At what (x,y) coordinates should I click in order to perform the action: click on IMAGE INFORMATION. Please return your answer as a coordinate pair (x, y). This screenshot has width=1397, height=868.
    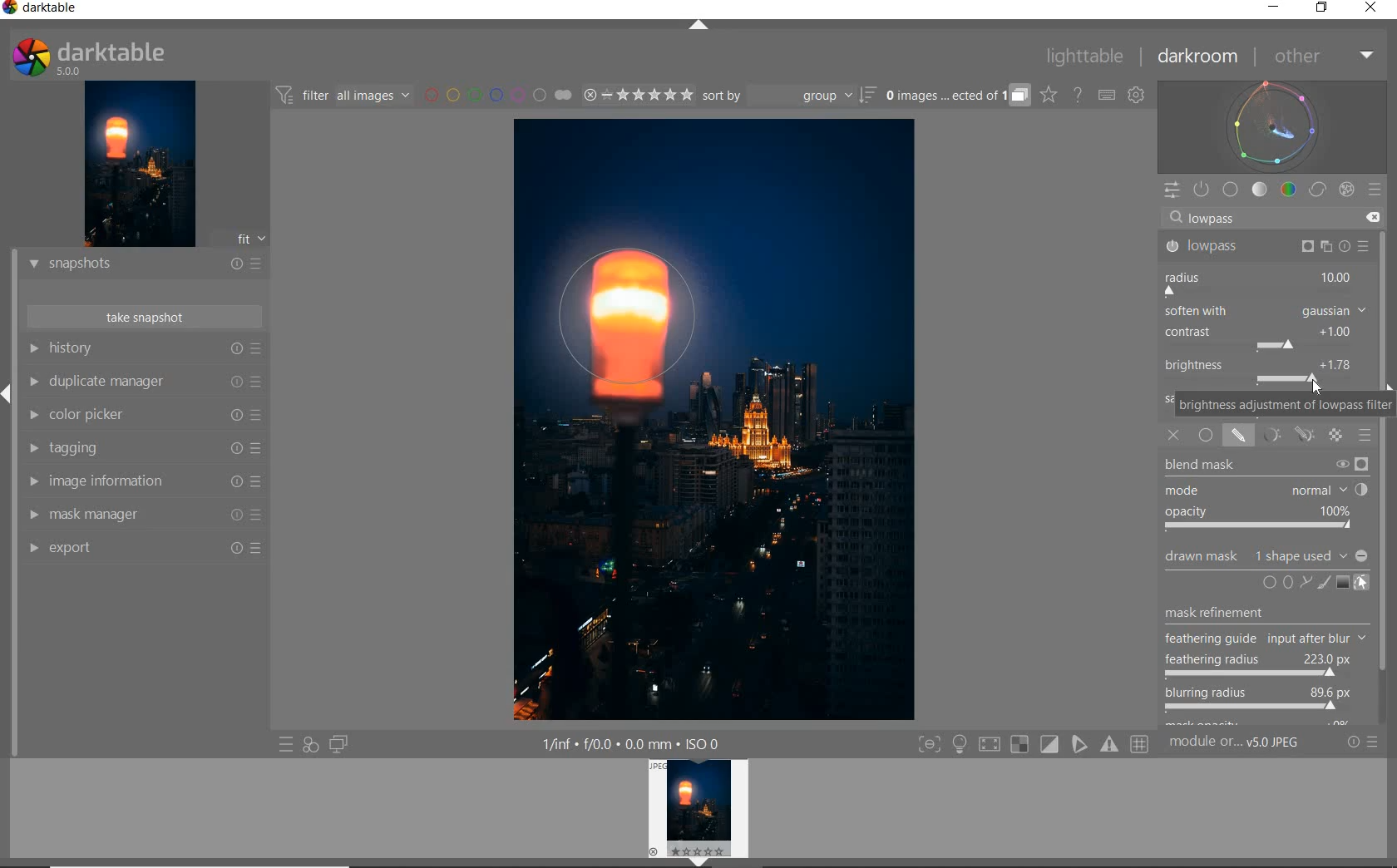
    Looking at the image, I should click on (143, 483).